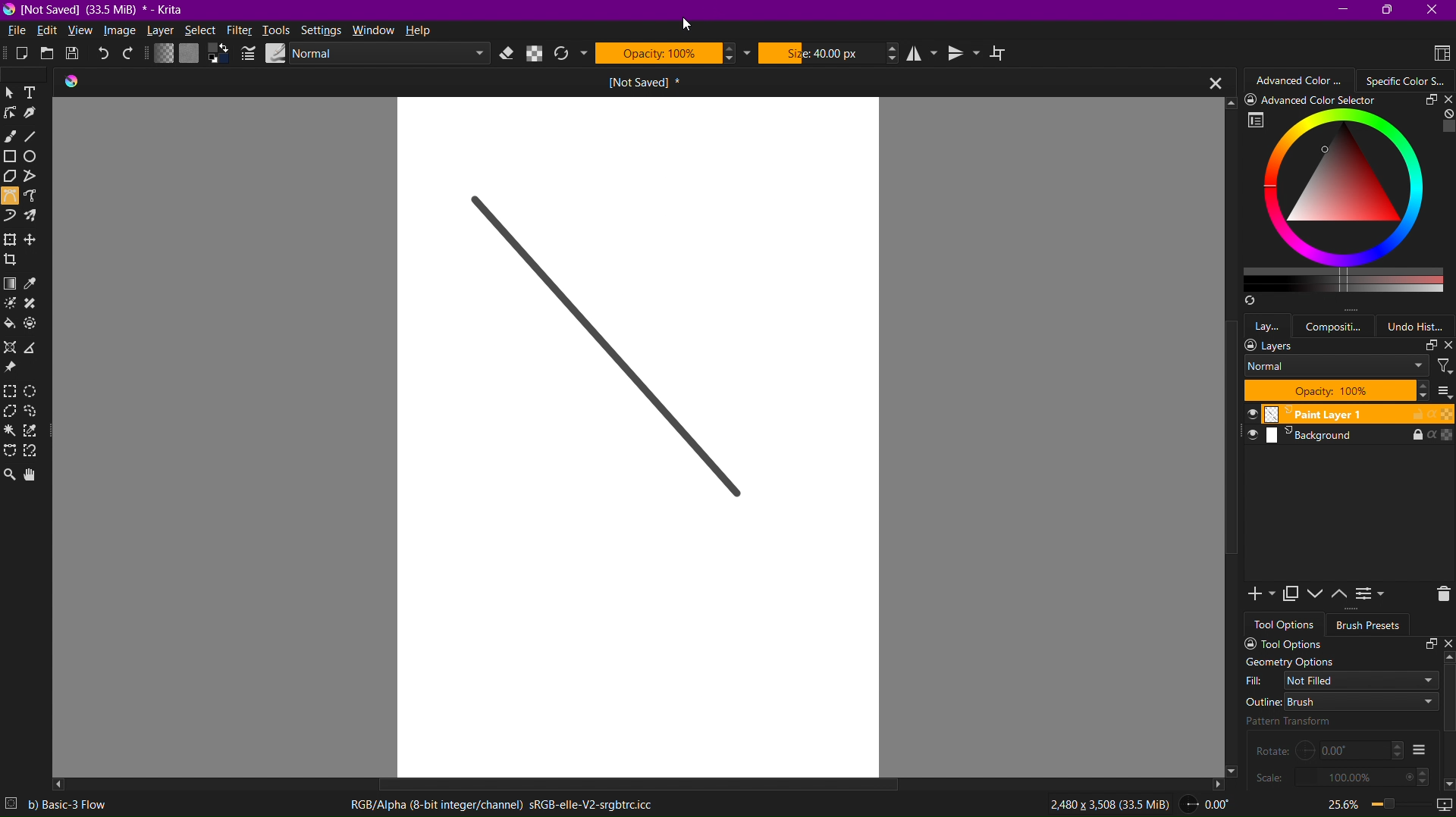 Image resolution: width=1456 pixels, height=817 pixels. Describe the element at coordinates (162, 55) in the screenshot. I see `Fill Gradients` at that location.